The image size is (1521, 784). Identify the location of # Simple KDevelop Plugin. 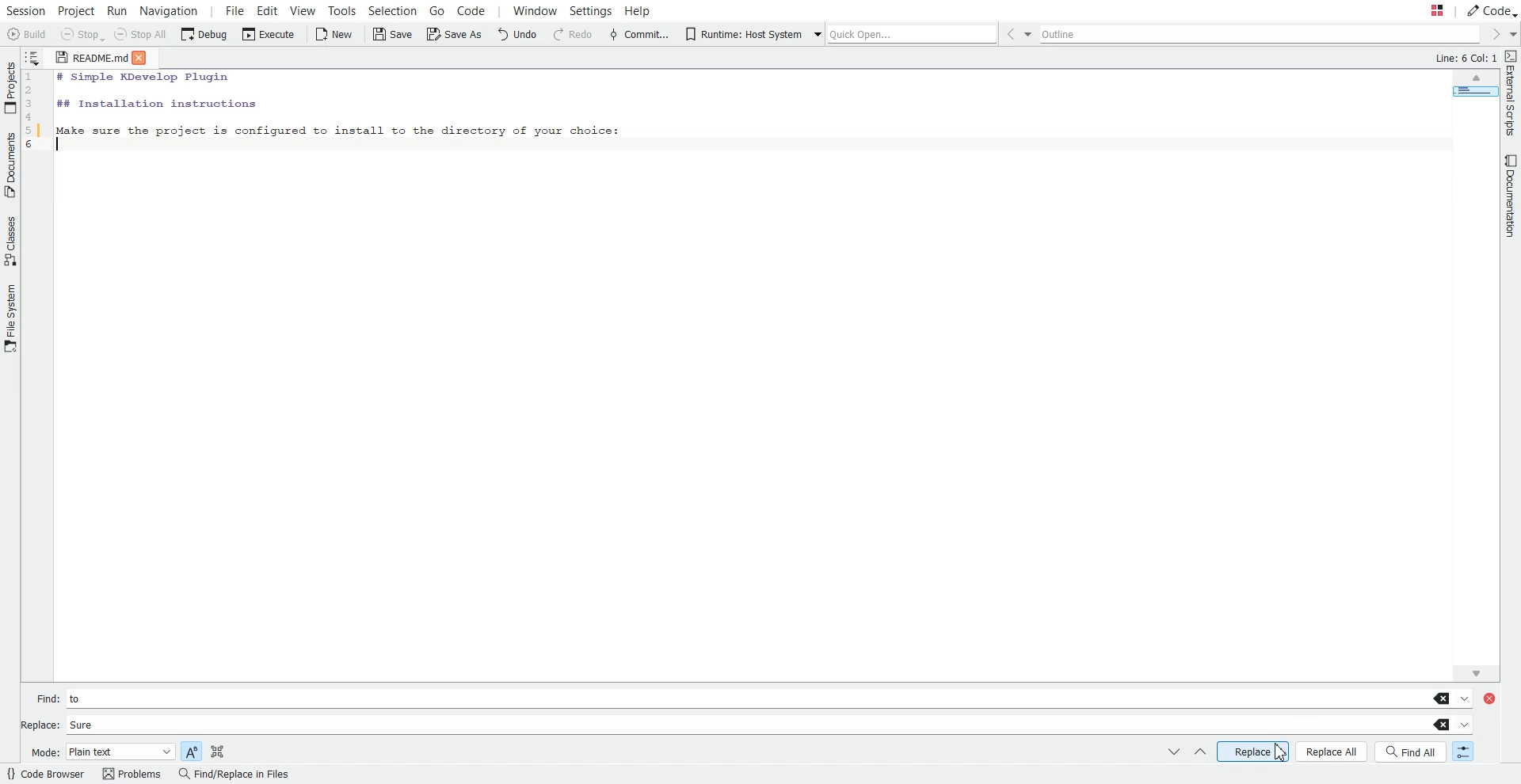
(144, 78).